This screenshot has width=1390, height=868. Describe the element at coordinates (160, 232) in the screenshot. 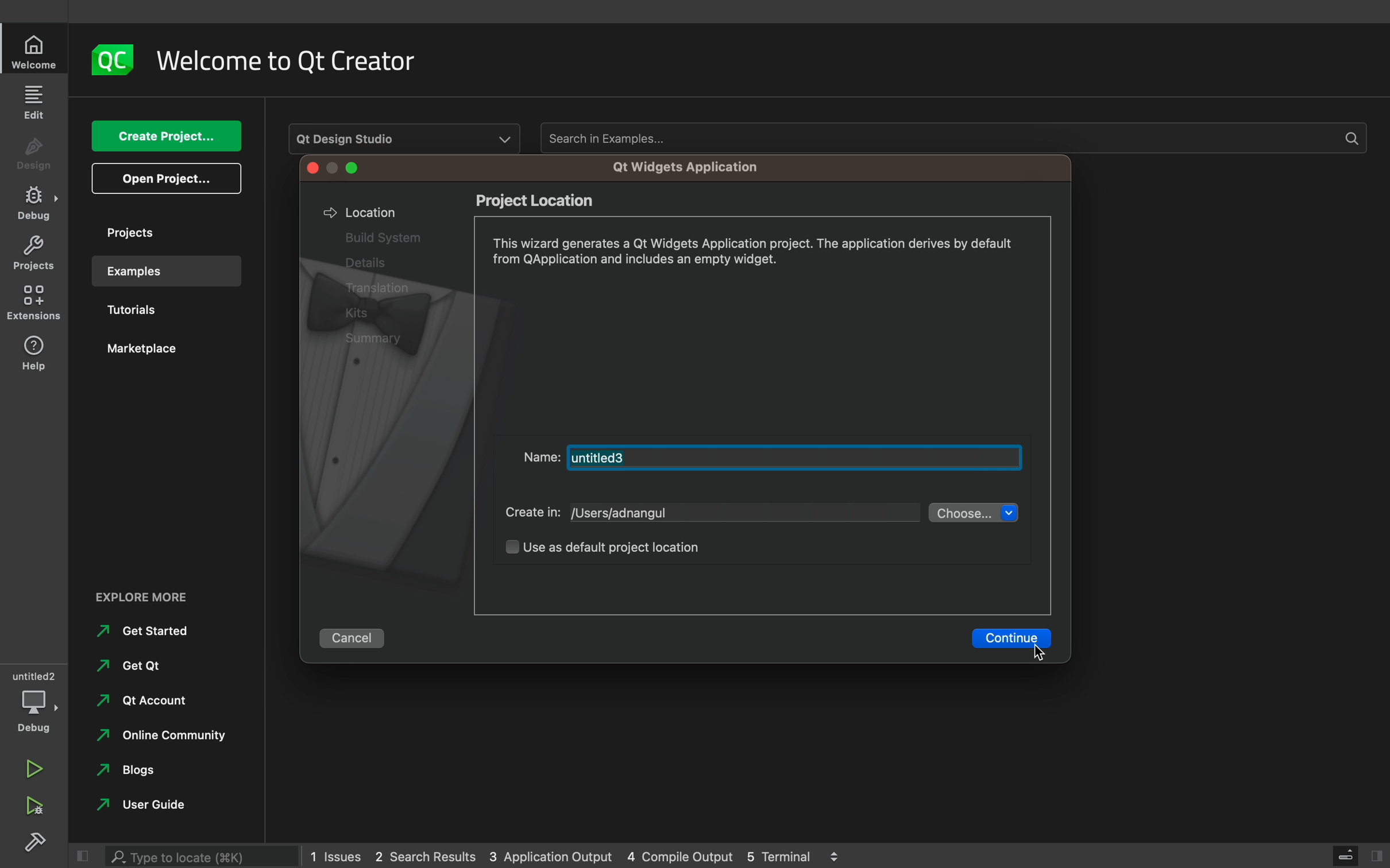

I see `projects` at that location.